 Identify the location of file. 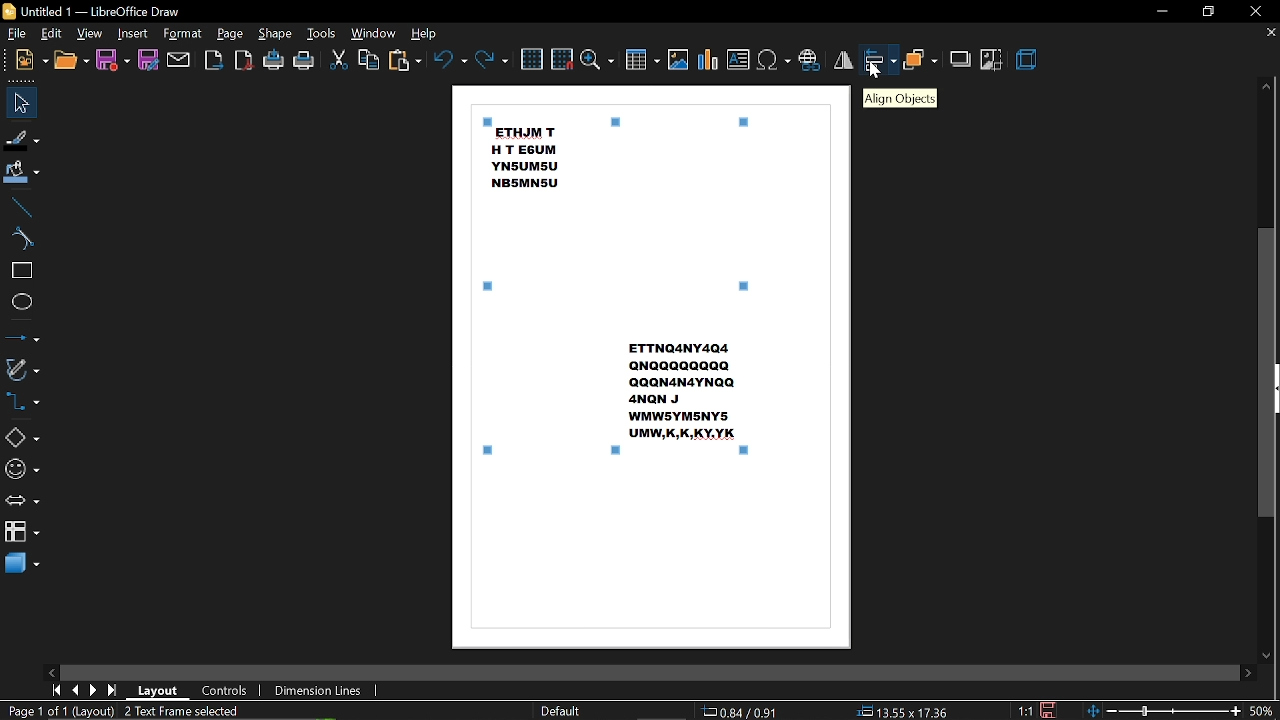
(18, 34).